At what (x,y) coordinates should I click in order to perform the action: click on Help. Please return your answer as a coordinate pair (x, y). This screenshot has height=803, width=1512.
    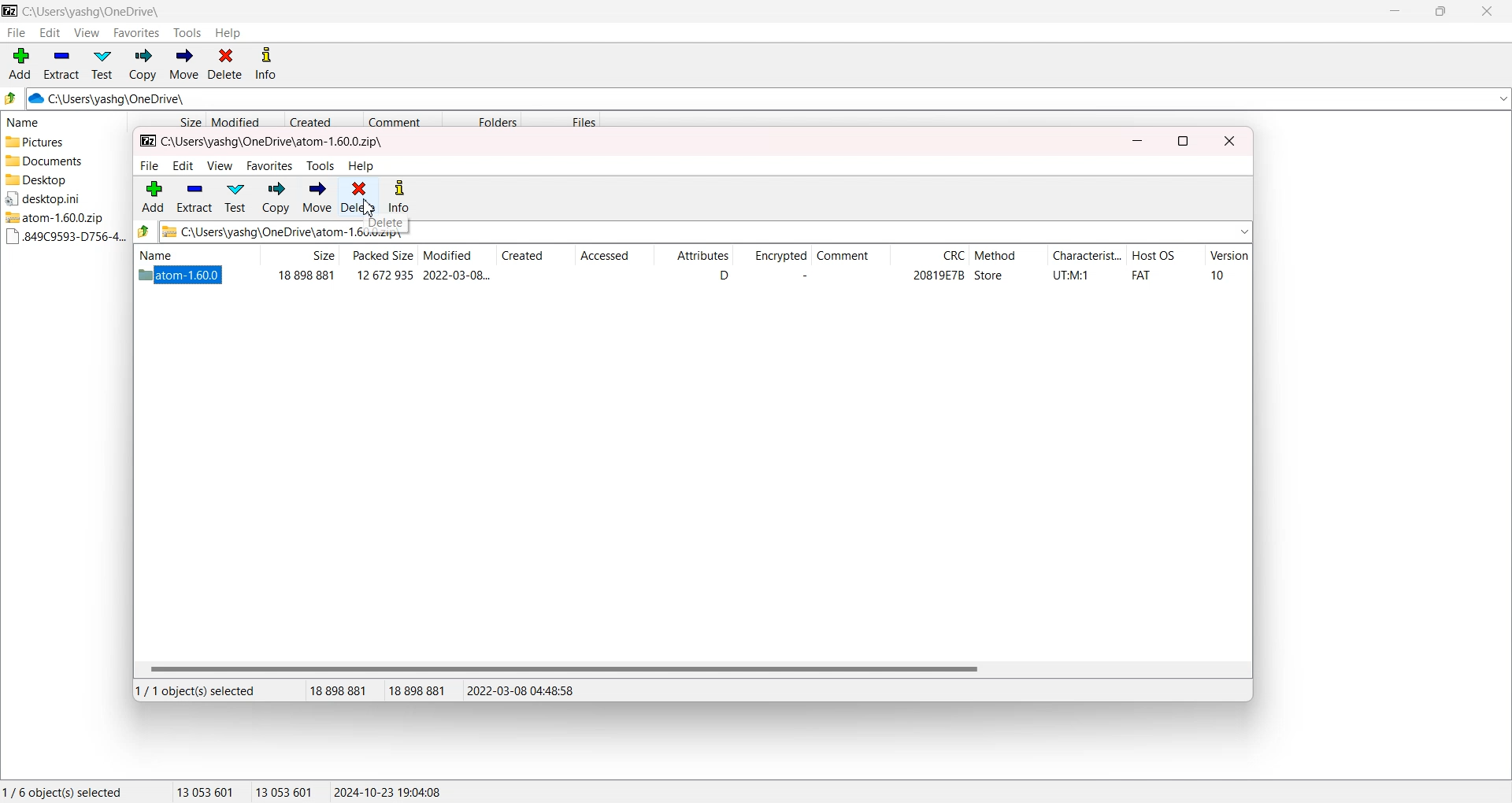
    Looking at the image, I should click on (228, 33).